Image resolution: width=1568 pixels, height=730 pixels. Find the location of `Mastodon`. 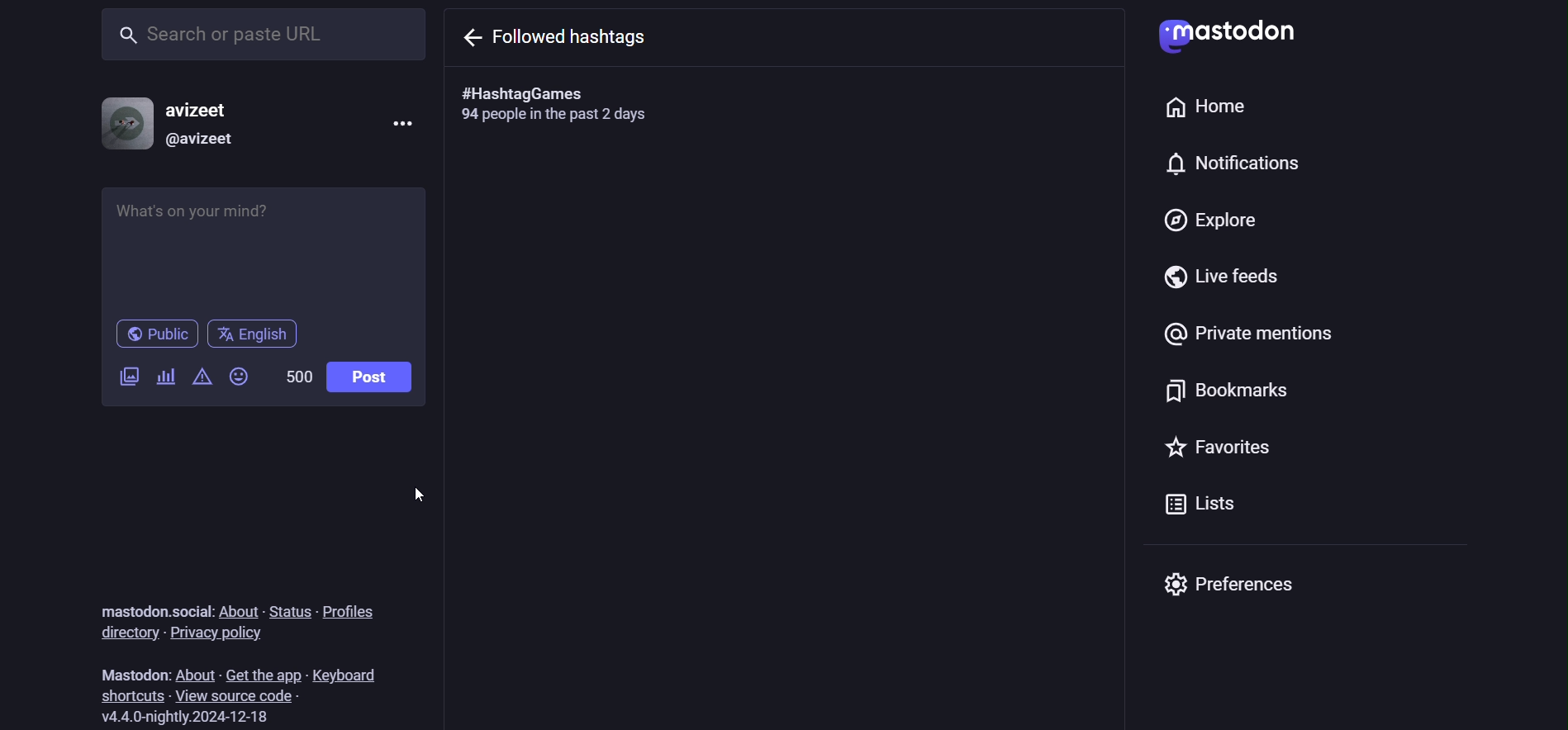

Mastodon is located at coordinates (1224, 34).